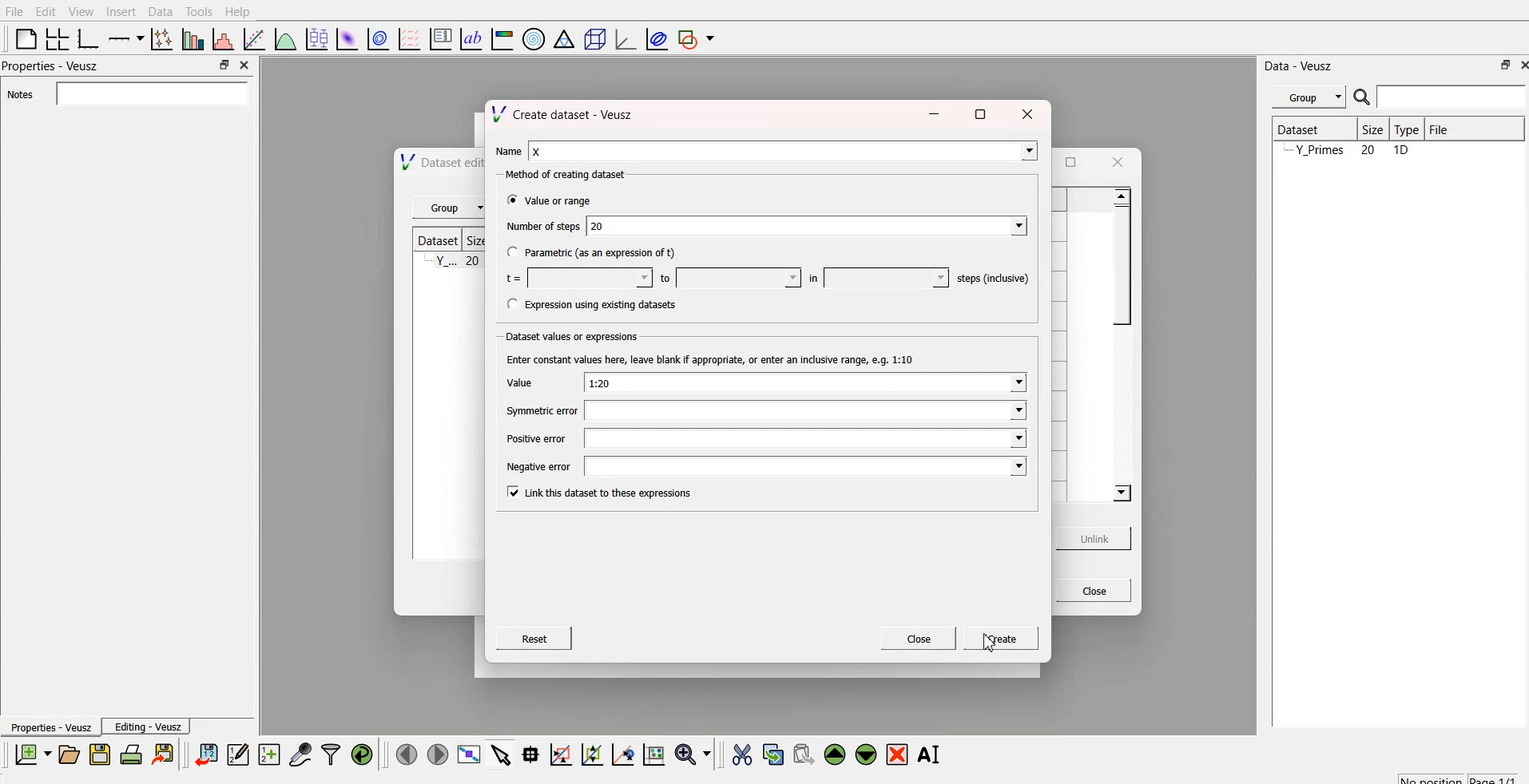  What do you see at coordinates (252, 38) in the screenshot?
I see `fit function to data` at bounding box center [252, 38].